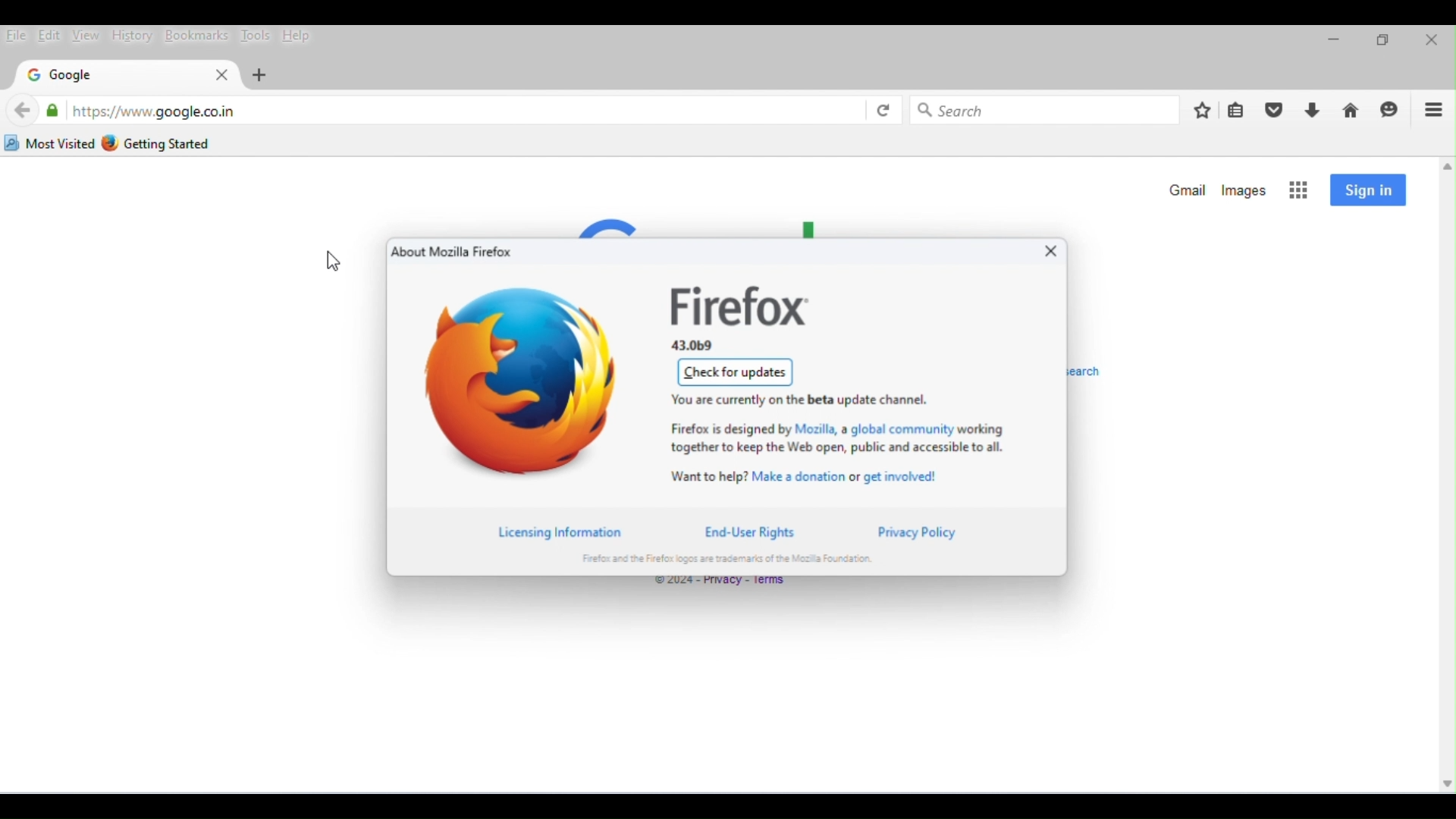 The image size is (1456, 819). What do you see at coordinates (835, 438) in the screenshot?
I see `information on mozilla` at bounding box center [835, 438].